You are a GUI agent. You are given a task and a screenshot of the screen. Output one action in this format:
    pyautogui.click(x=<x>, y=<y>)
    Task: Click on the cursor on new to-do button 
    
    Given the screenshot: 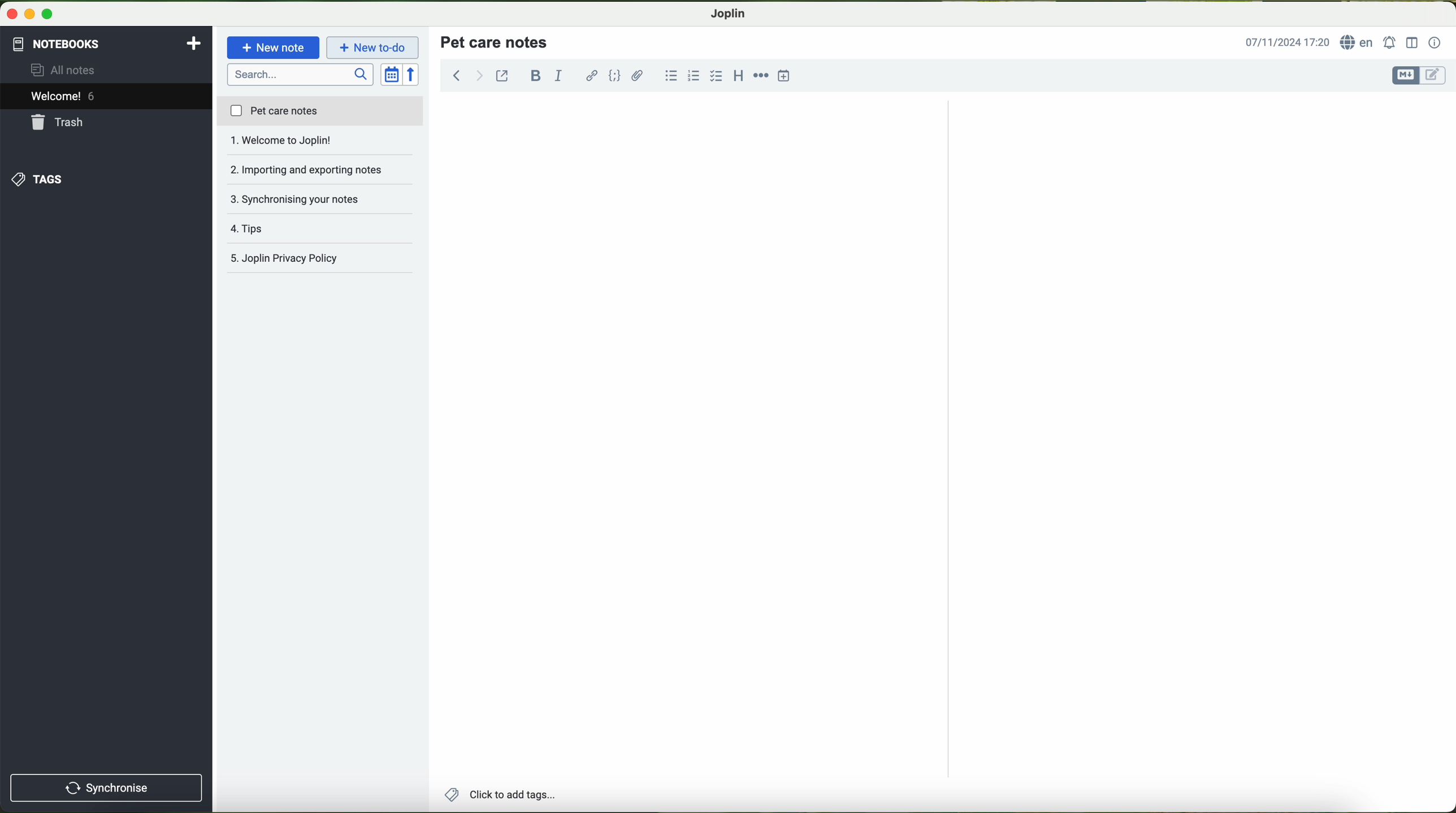 What is the action you would take?
    pyautogui.click(x=374, y=48)
    